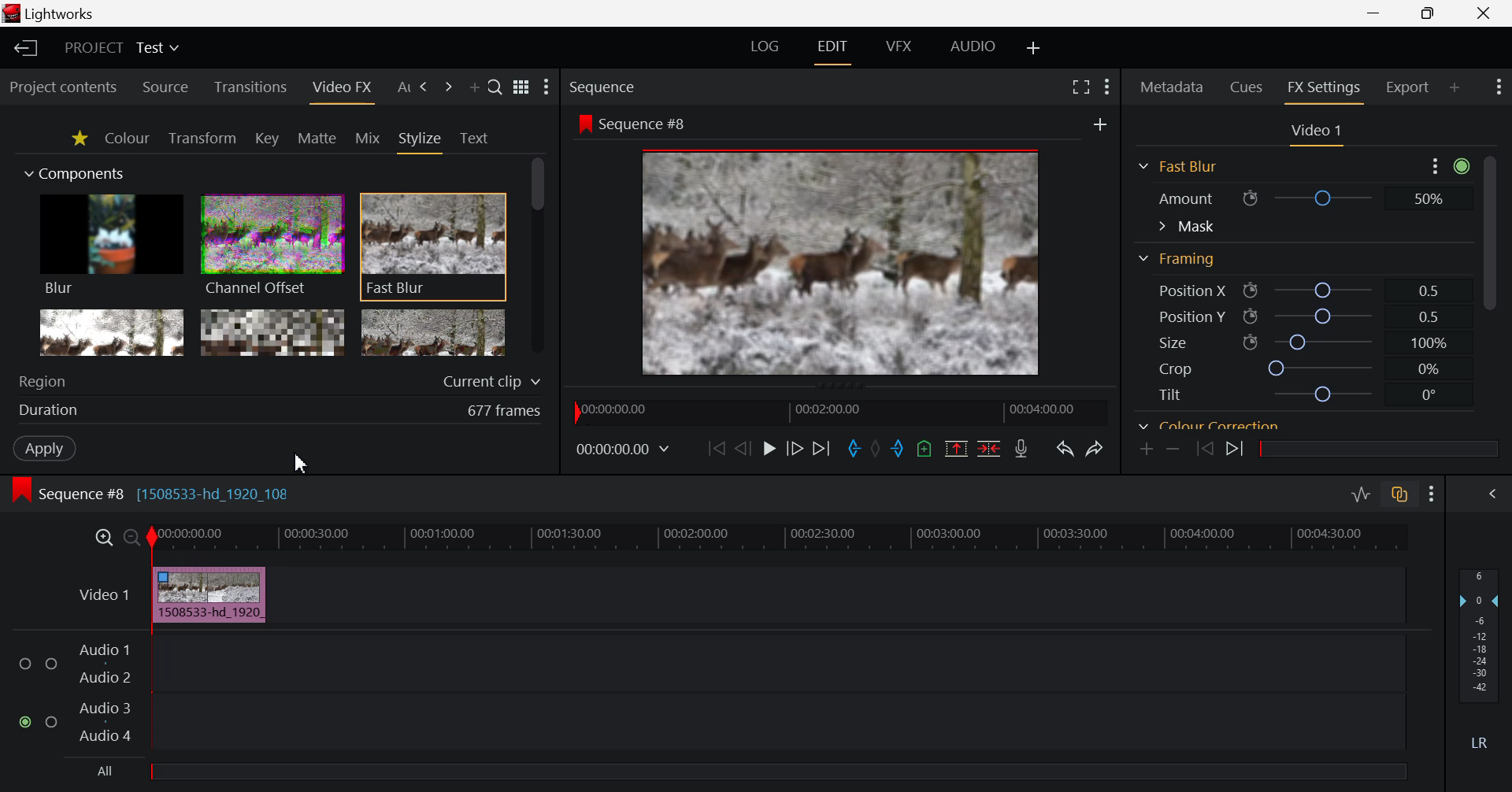 This screenshot has width=1512, height=792. What do you see at coordinates (1429, 166) in the screenshot?
I see `more options` at bounding box center [1429, 166].